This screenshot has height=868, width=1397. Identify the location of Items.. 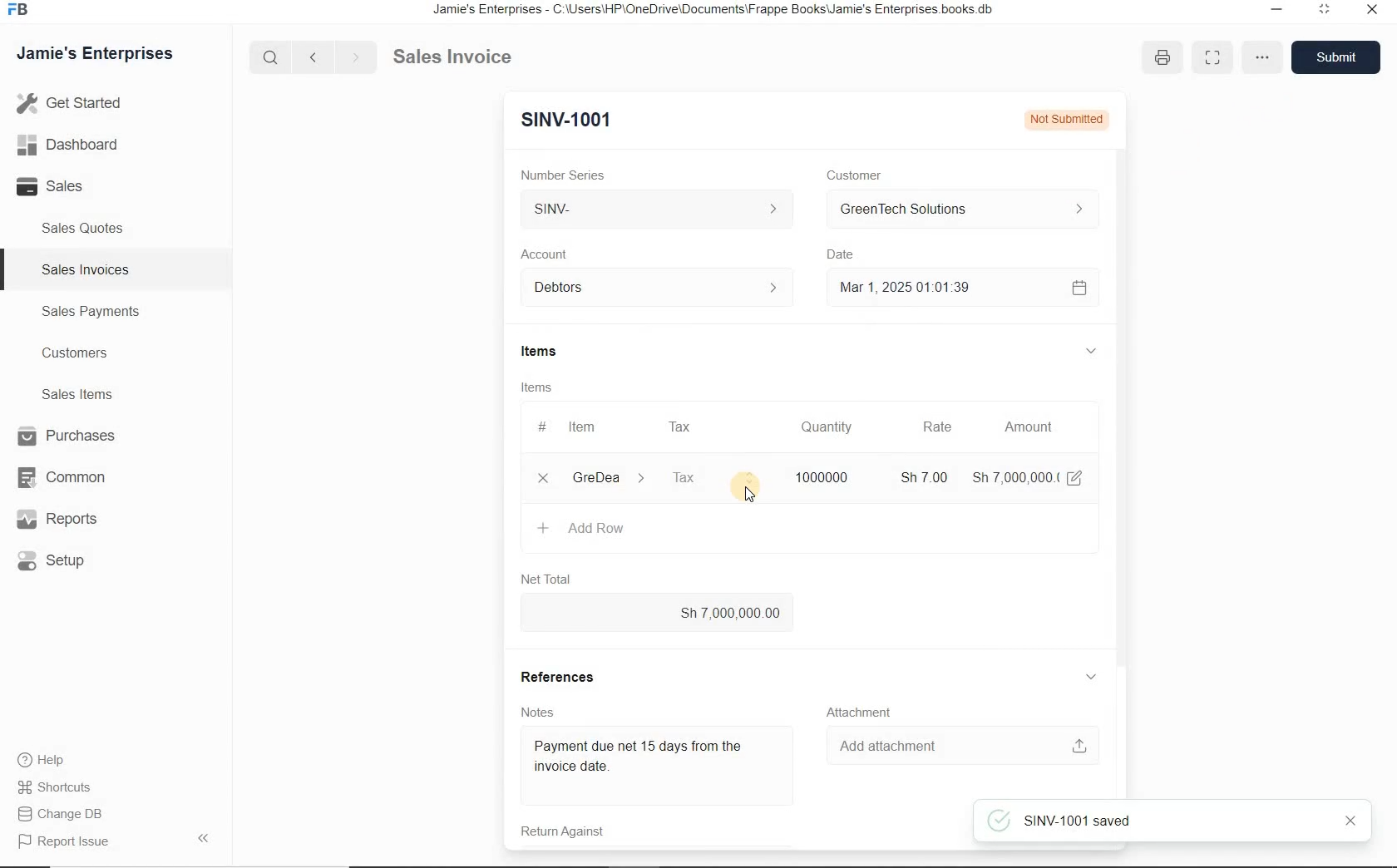
(536, 387).